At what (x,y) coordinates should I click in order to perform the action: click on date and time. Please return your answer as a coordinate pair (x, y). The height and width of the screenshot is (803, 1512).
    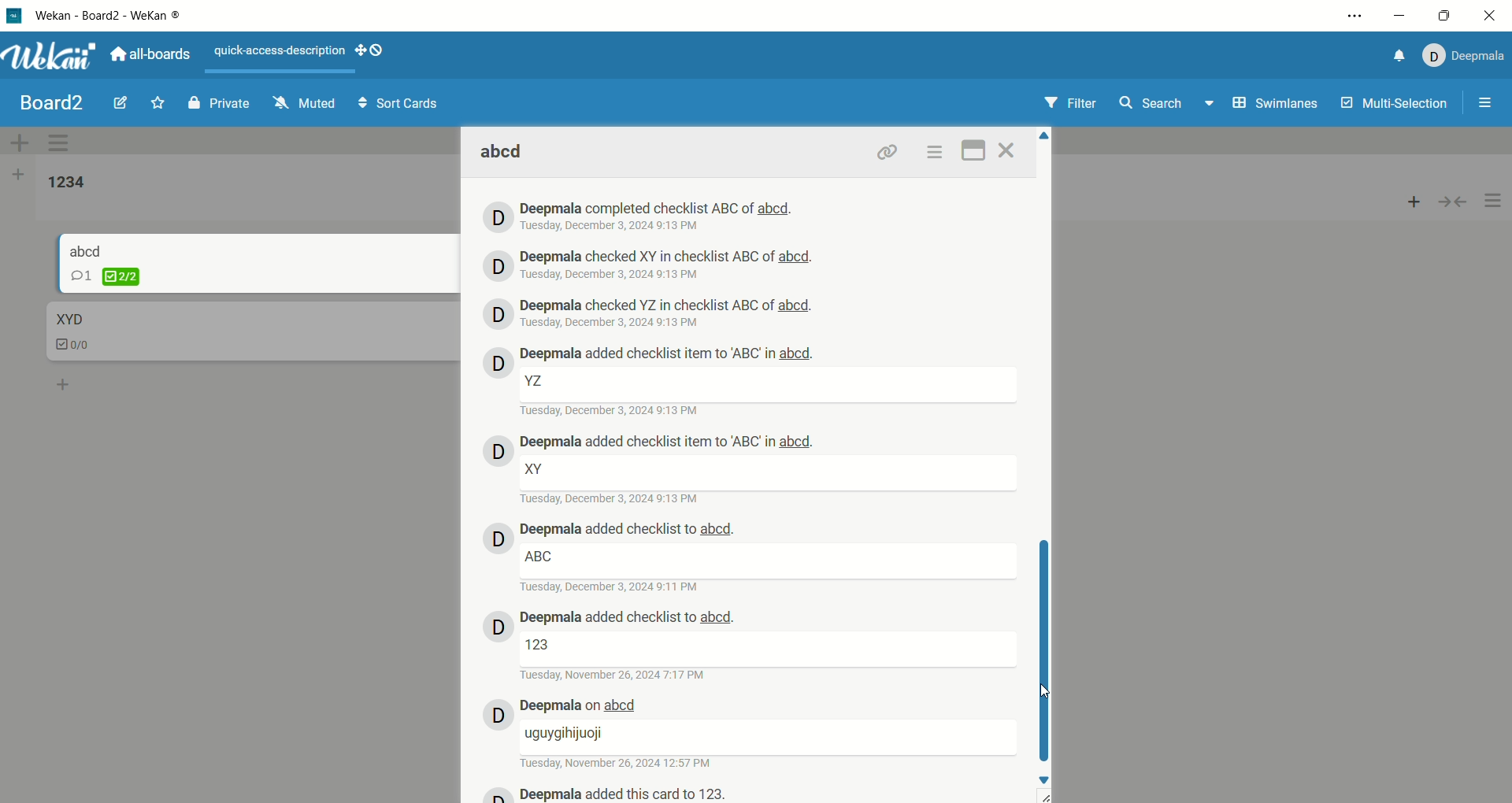
    Looking at the image, I should click on (613, 322).